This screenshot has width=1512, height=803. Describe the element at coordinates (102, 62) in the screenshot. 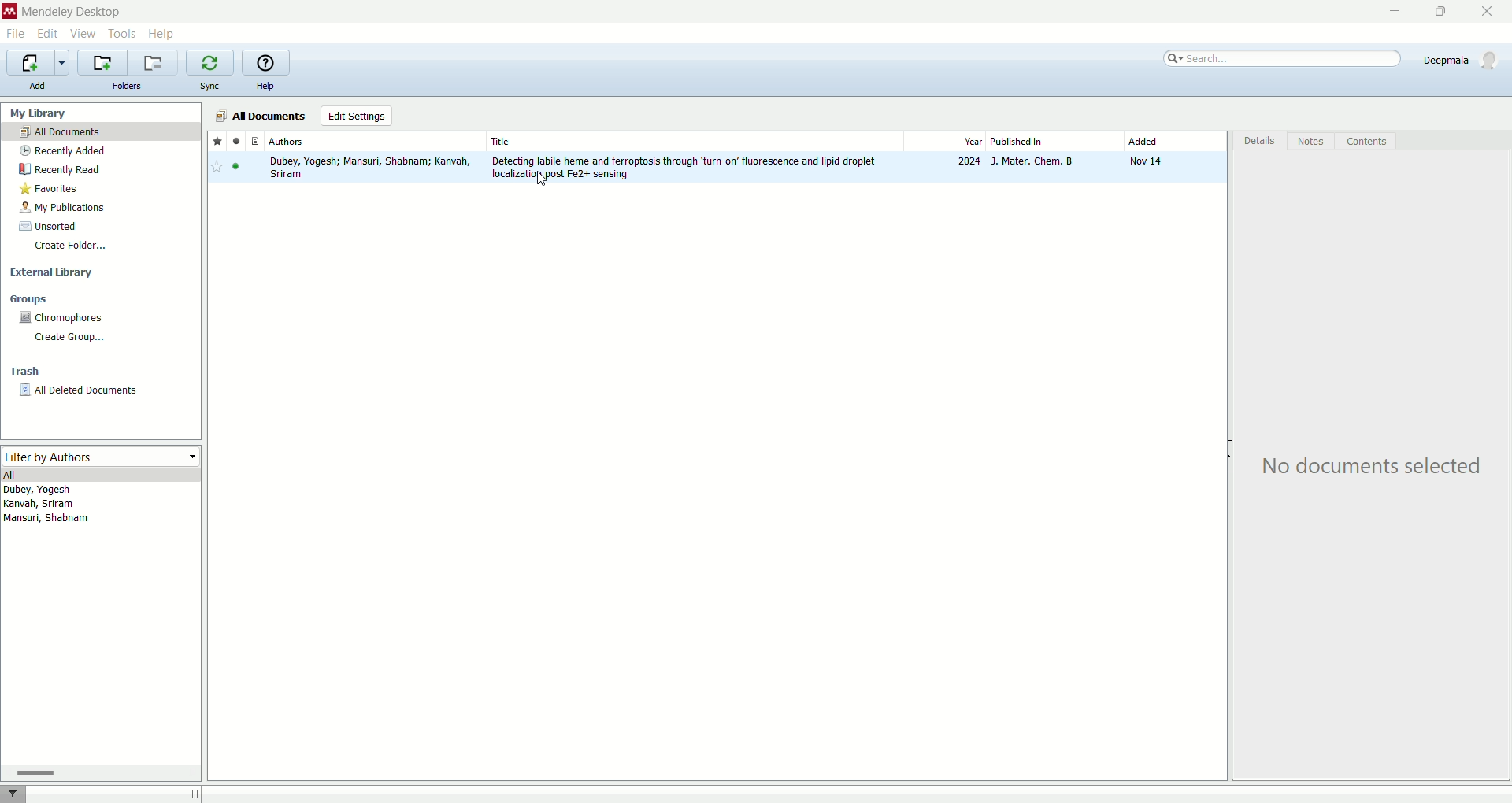

I see `add a new folder` at that location.